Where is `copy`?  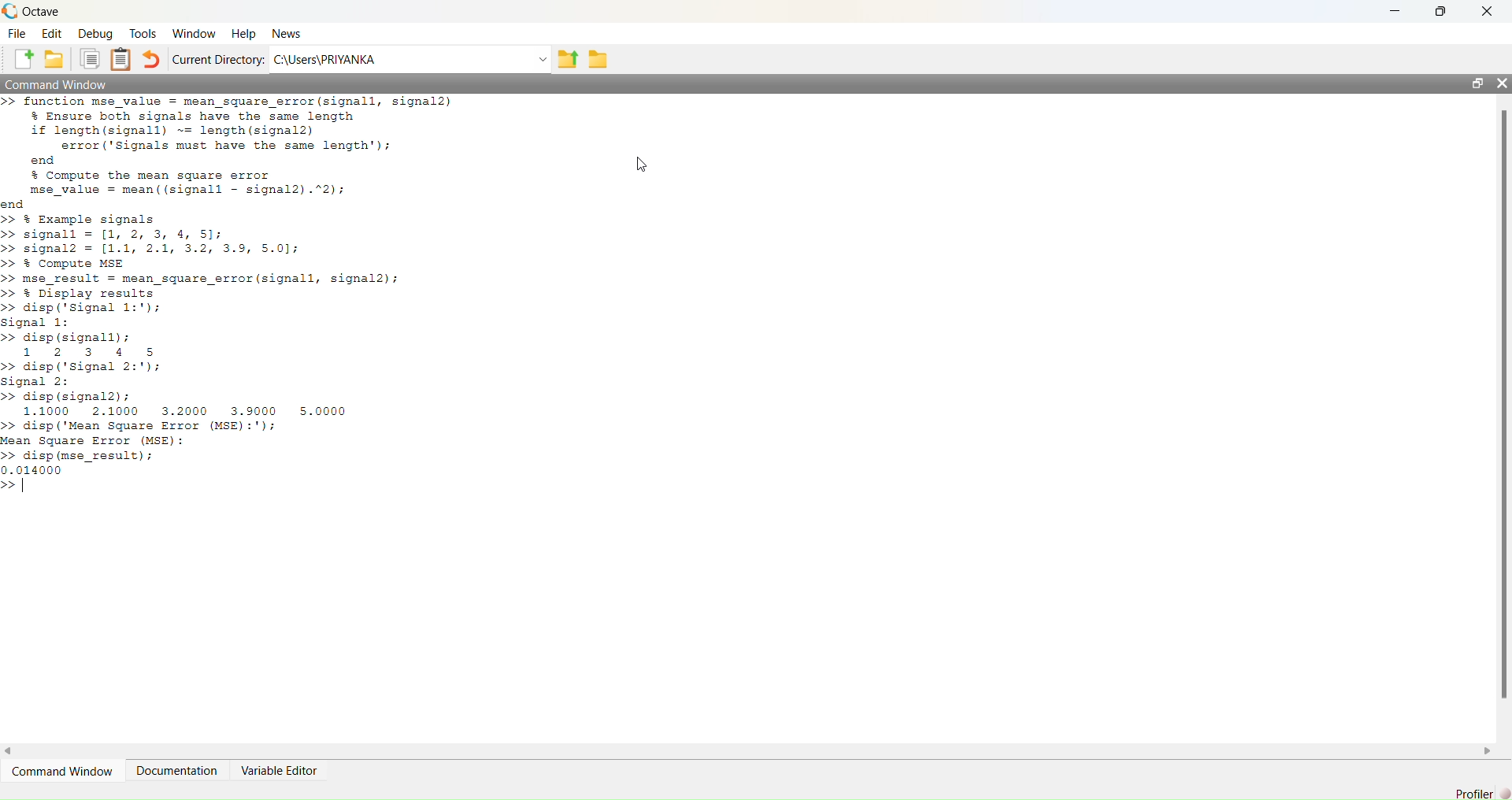
copy is located at coordinates (89, 59).